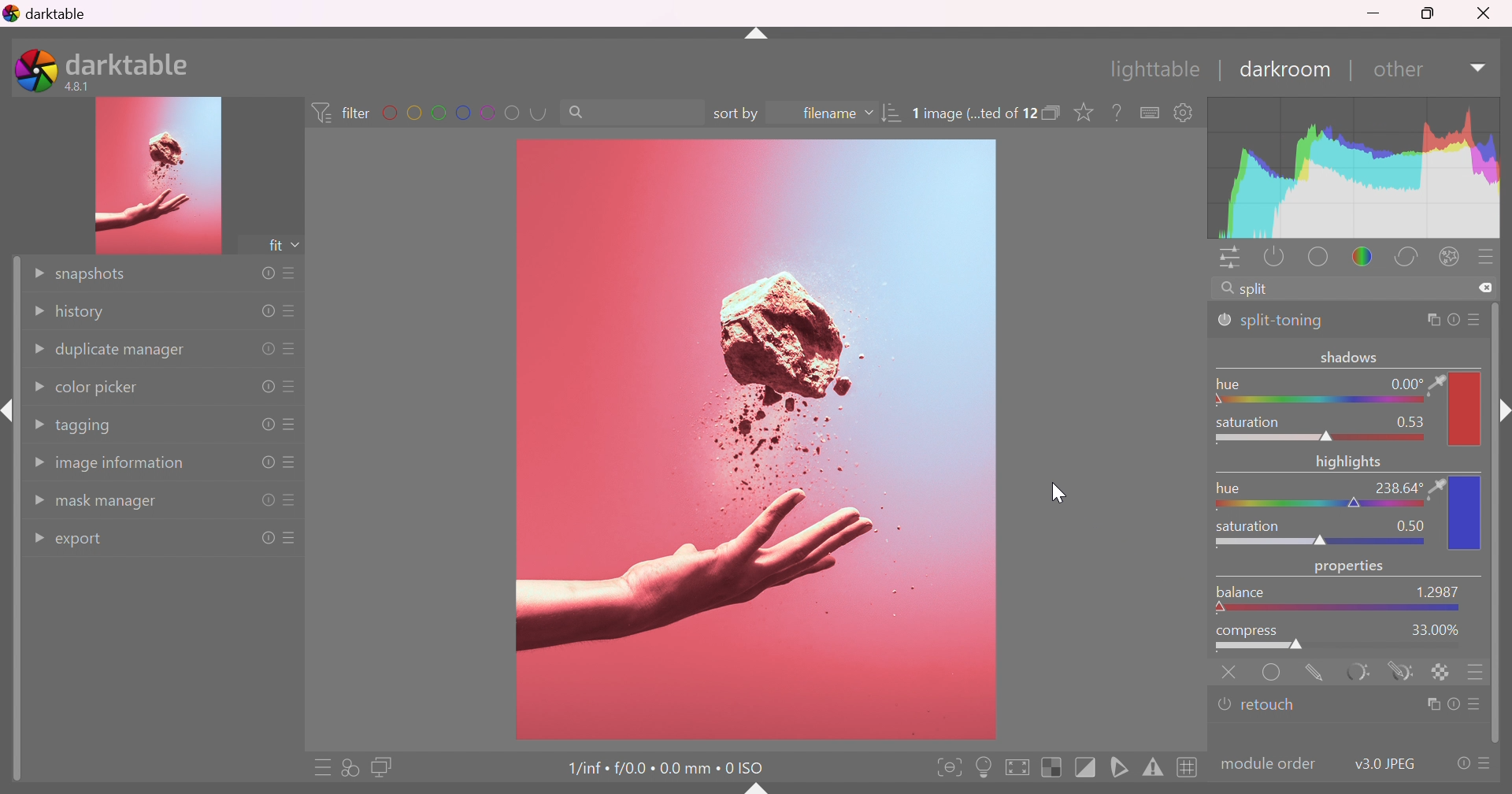 This screenshot has width=1512, height=794. Describe the element at coordinates (126, 350) in the screenshot. I see `duplicate manager` at that location.